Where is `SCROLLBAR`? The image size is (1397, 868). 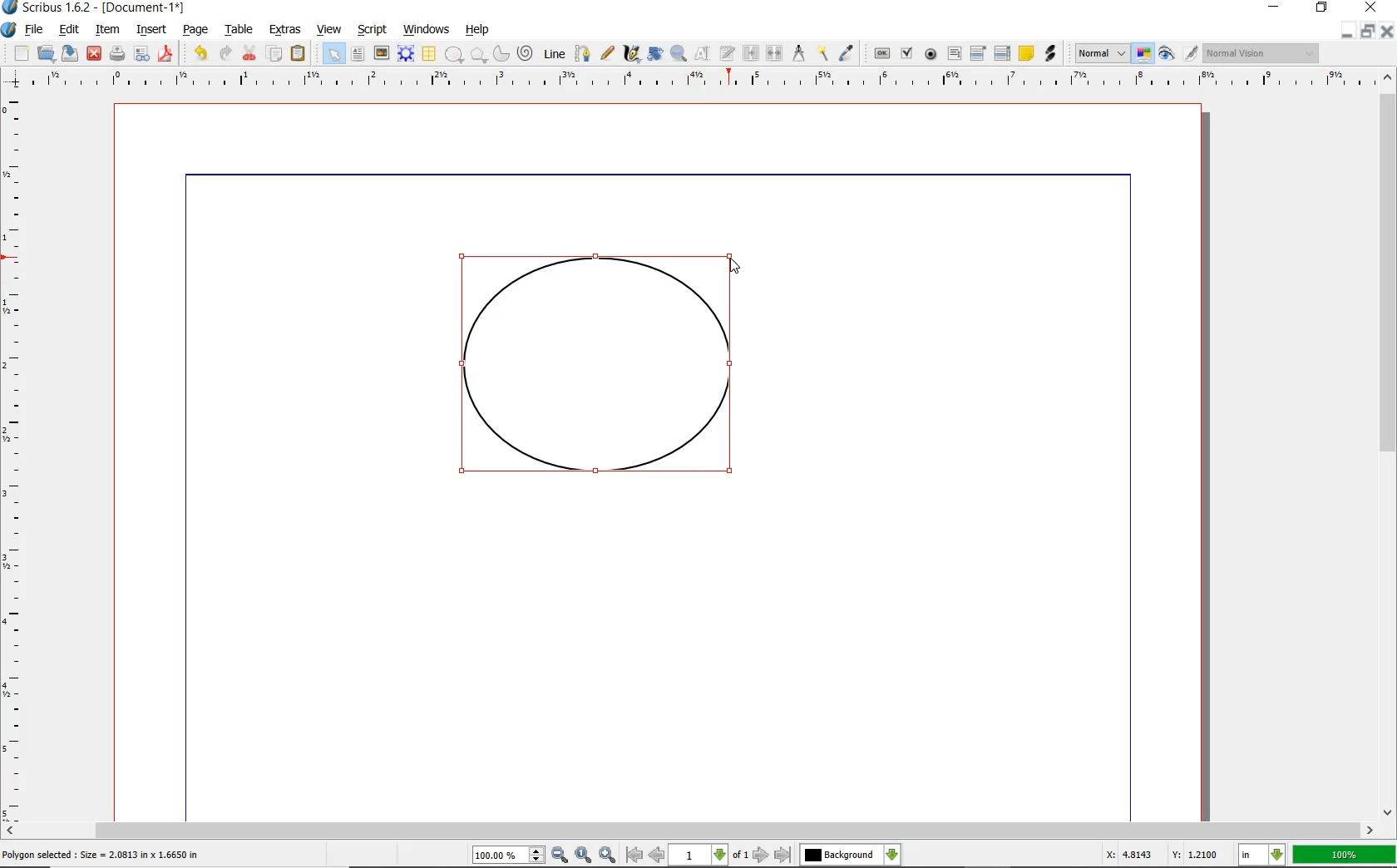 SCROLLBAR is located at coordinates (1389, 442).